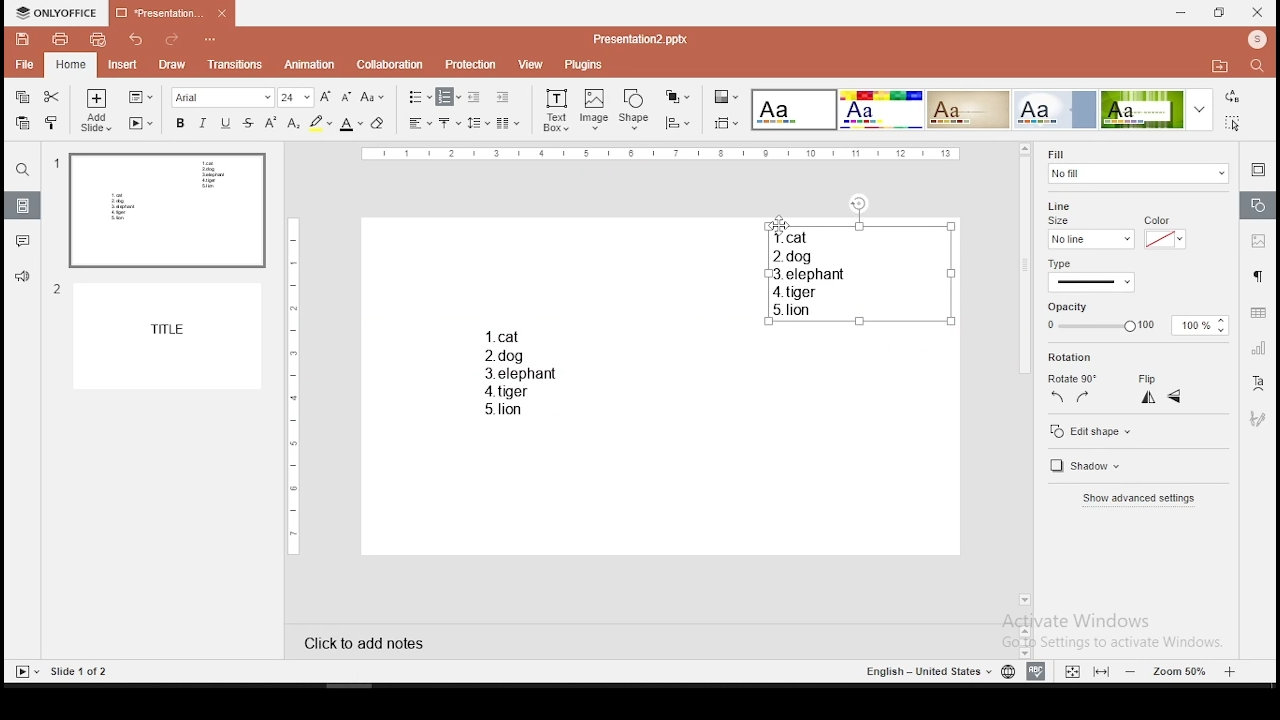  I want to click on undo, so click(137, 40).